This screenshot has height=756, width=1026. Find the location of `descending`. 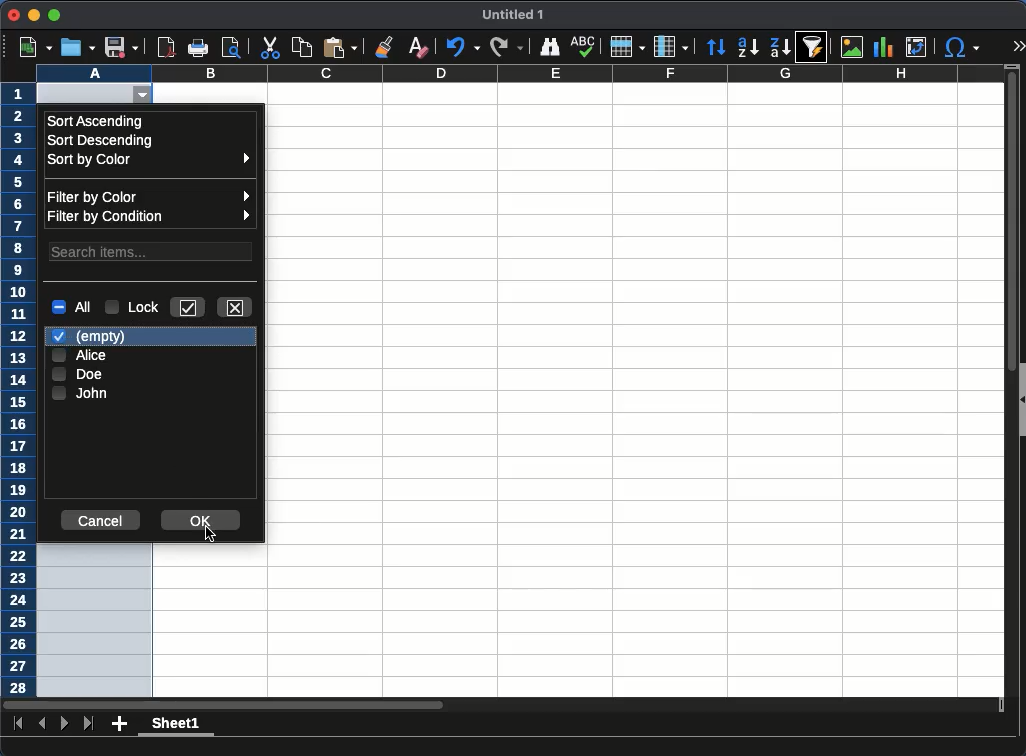

descending is located at coordinates (781, 48).